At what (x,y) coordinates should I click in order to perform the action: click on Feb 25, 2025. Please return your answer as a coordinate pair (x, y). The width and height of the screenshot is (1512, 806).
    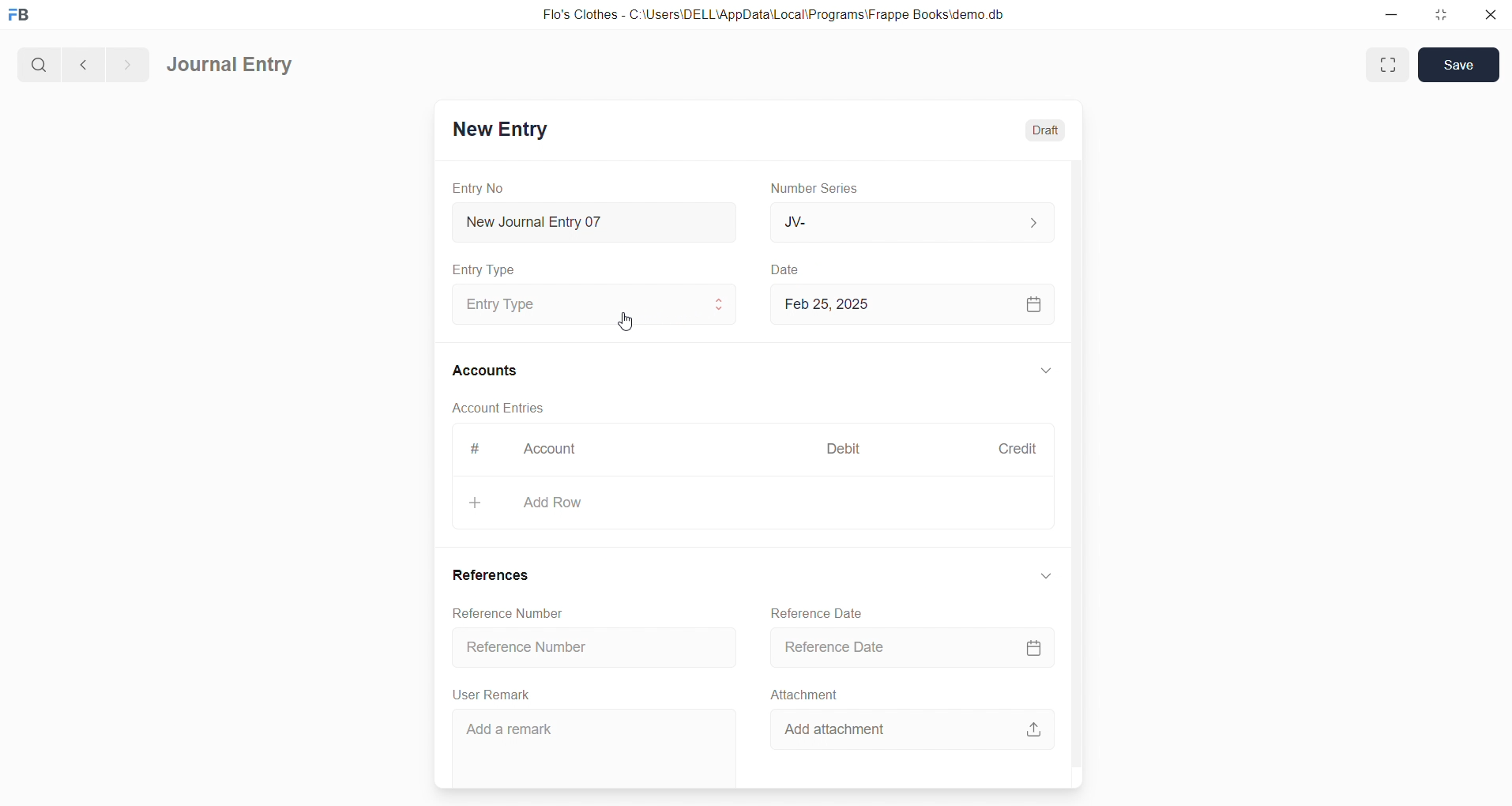
    Looking at the image, I should click on (914, 304).